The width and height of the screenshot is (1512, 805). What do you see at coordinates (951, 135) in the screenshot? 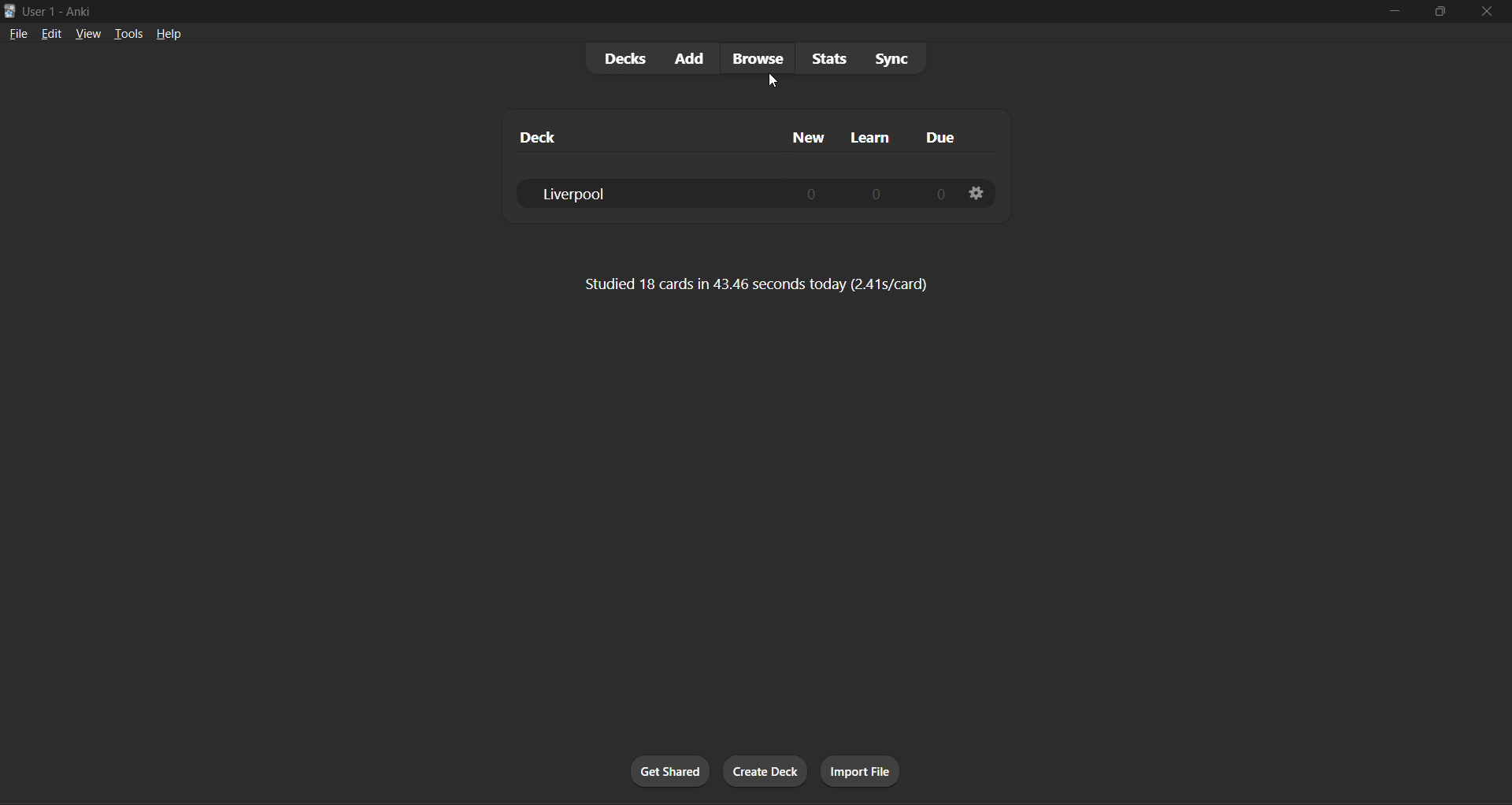
I see `due column` at bounding box center [951, 135].